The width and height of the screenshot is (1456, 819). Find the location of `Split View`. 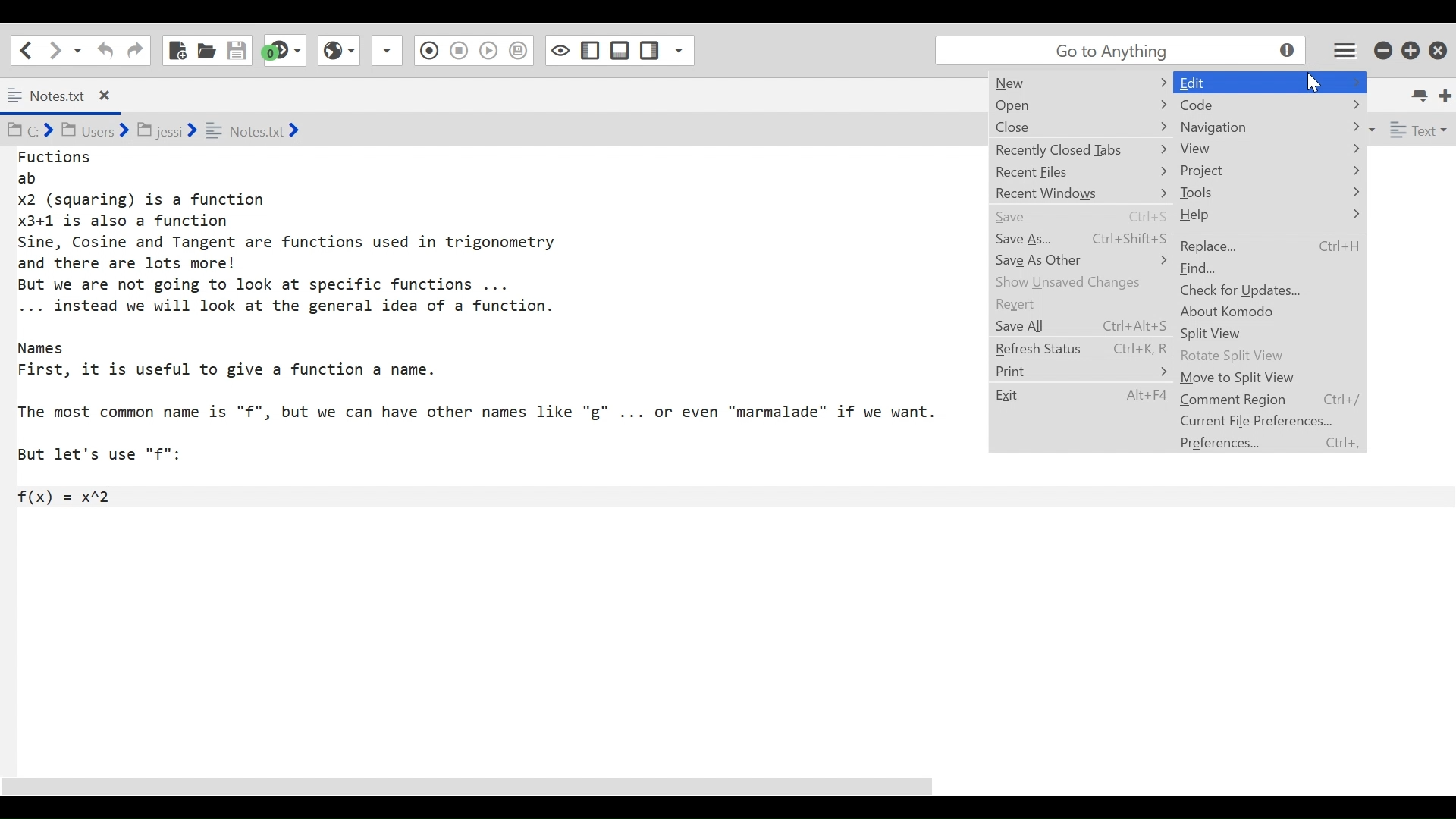

Split View is located at coordinates (1225, 334).